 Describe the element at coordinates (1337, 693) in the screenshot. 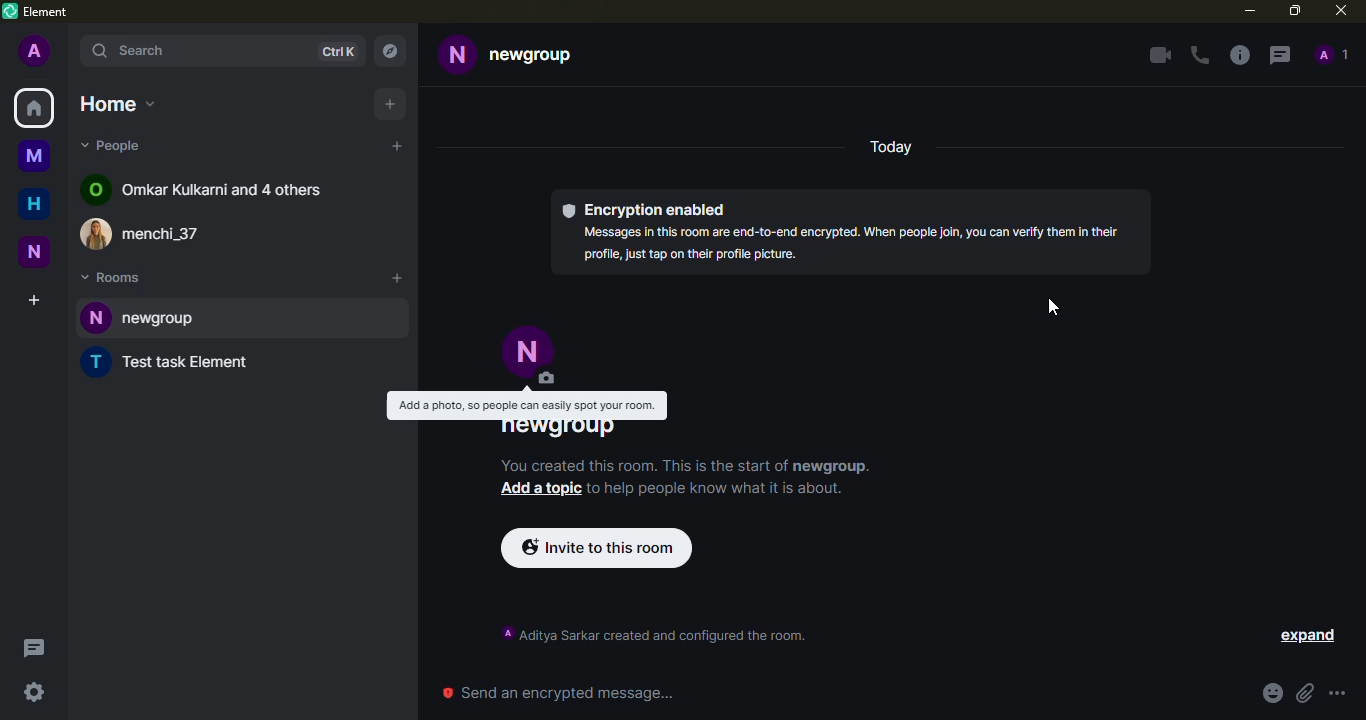

I see `more settings` at that location.